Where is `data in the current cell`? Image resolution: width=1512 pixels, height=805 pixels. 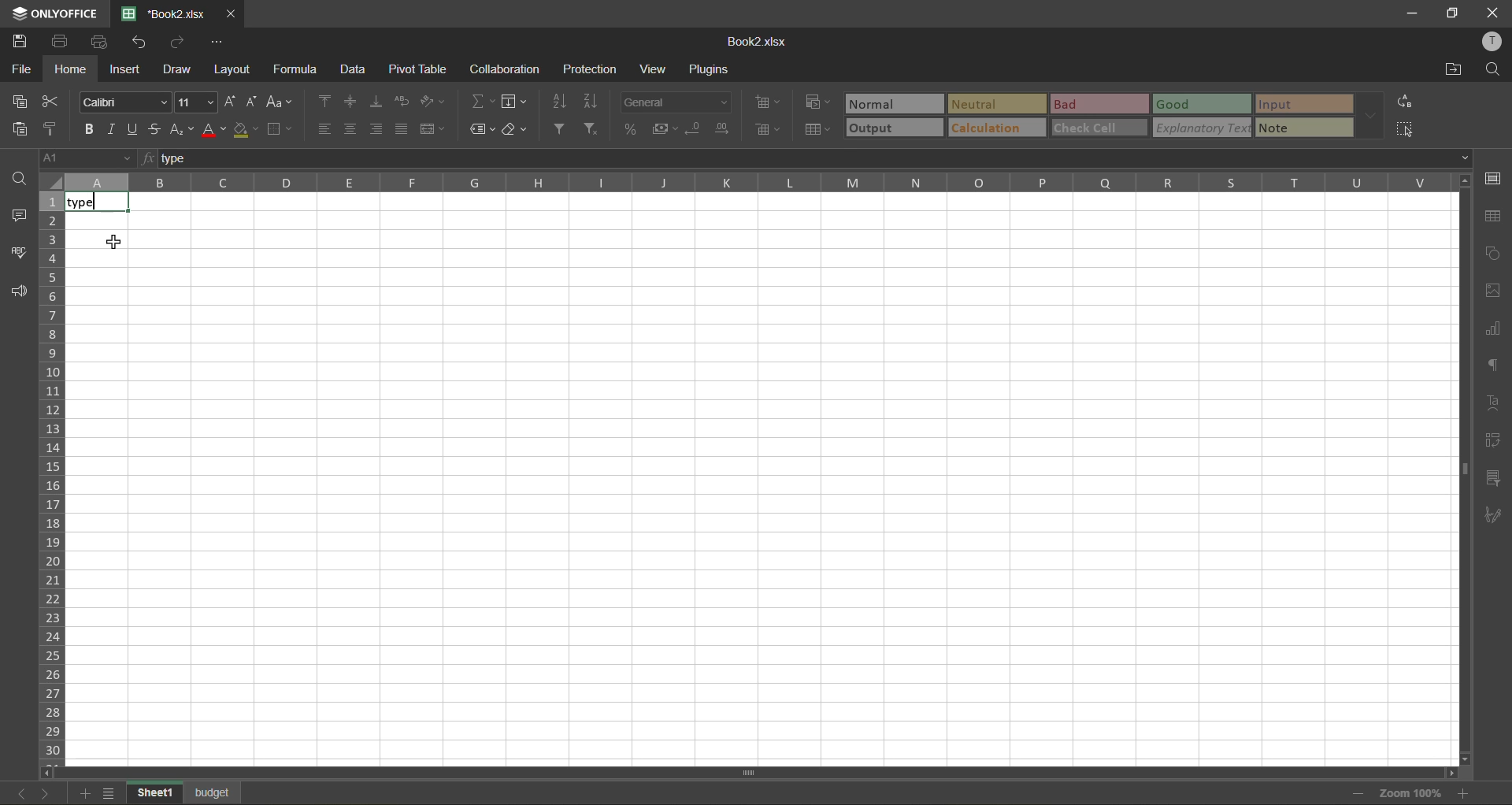 data in the current cell is located at coordinates (323, 158).